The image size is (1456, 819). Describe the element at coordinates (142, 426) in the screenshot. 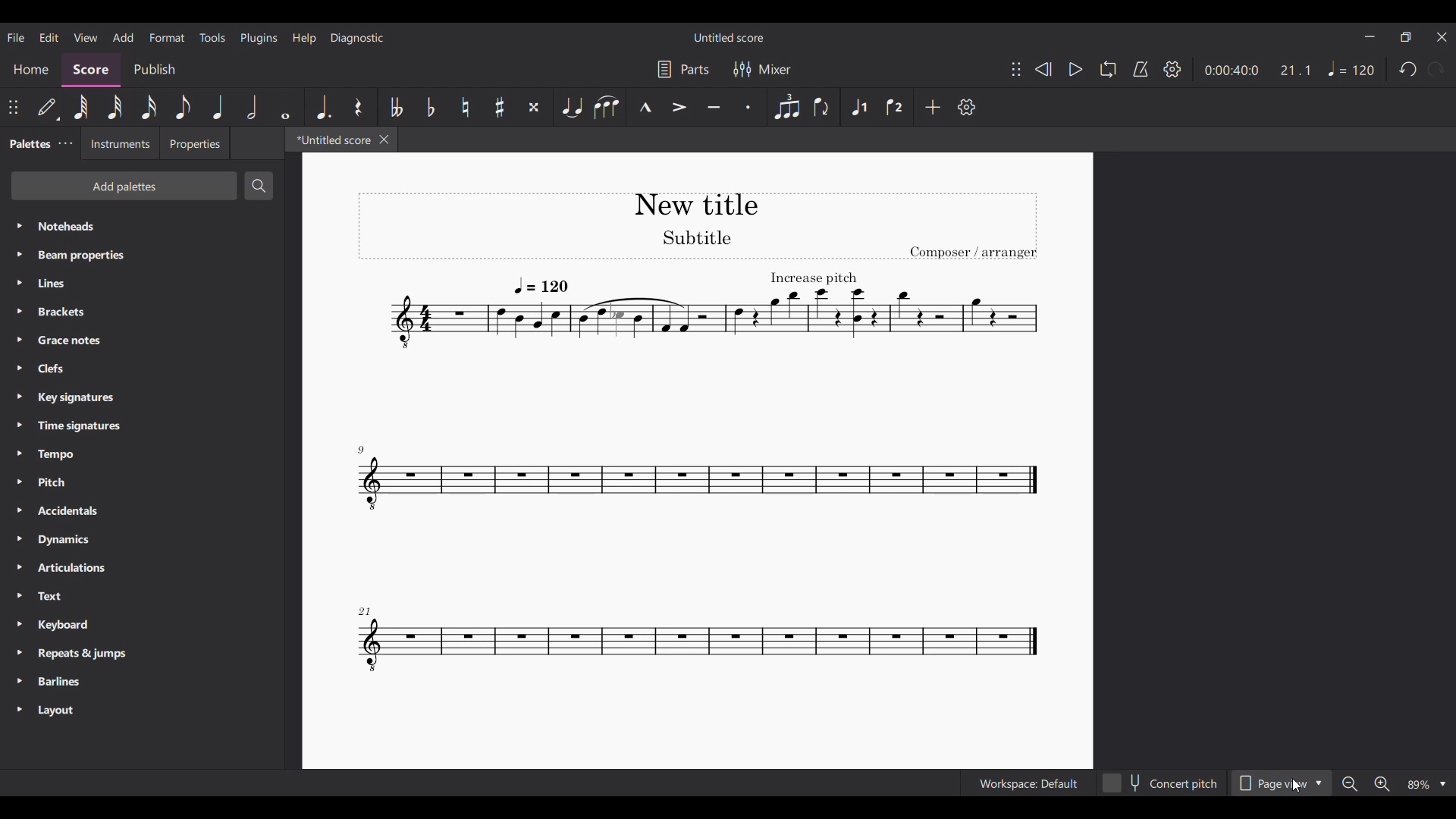

I see `Time signatures` at that location.